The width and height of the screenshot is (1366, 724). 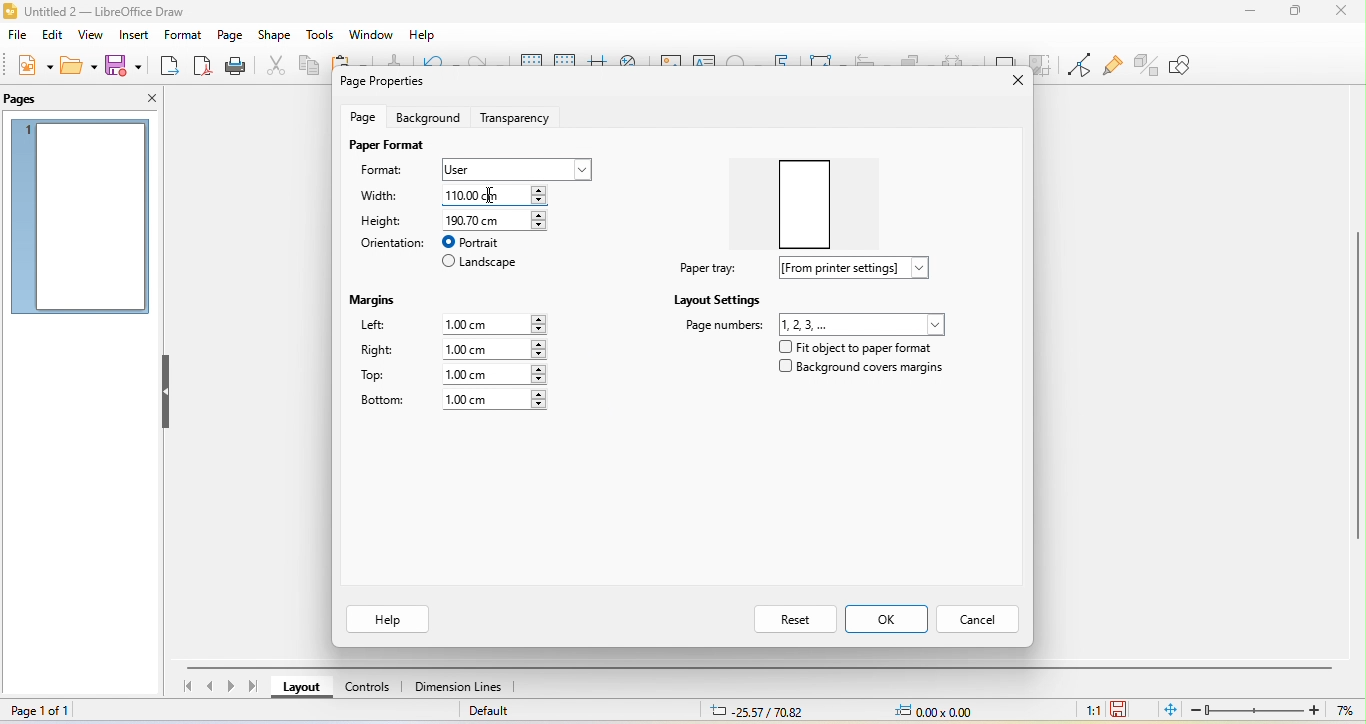 I want to click on layout, so click(x=303, y=690).